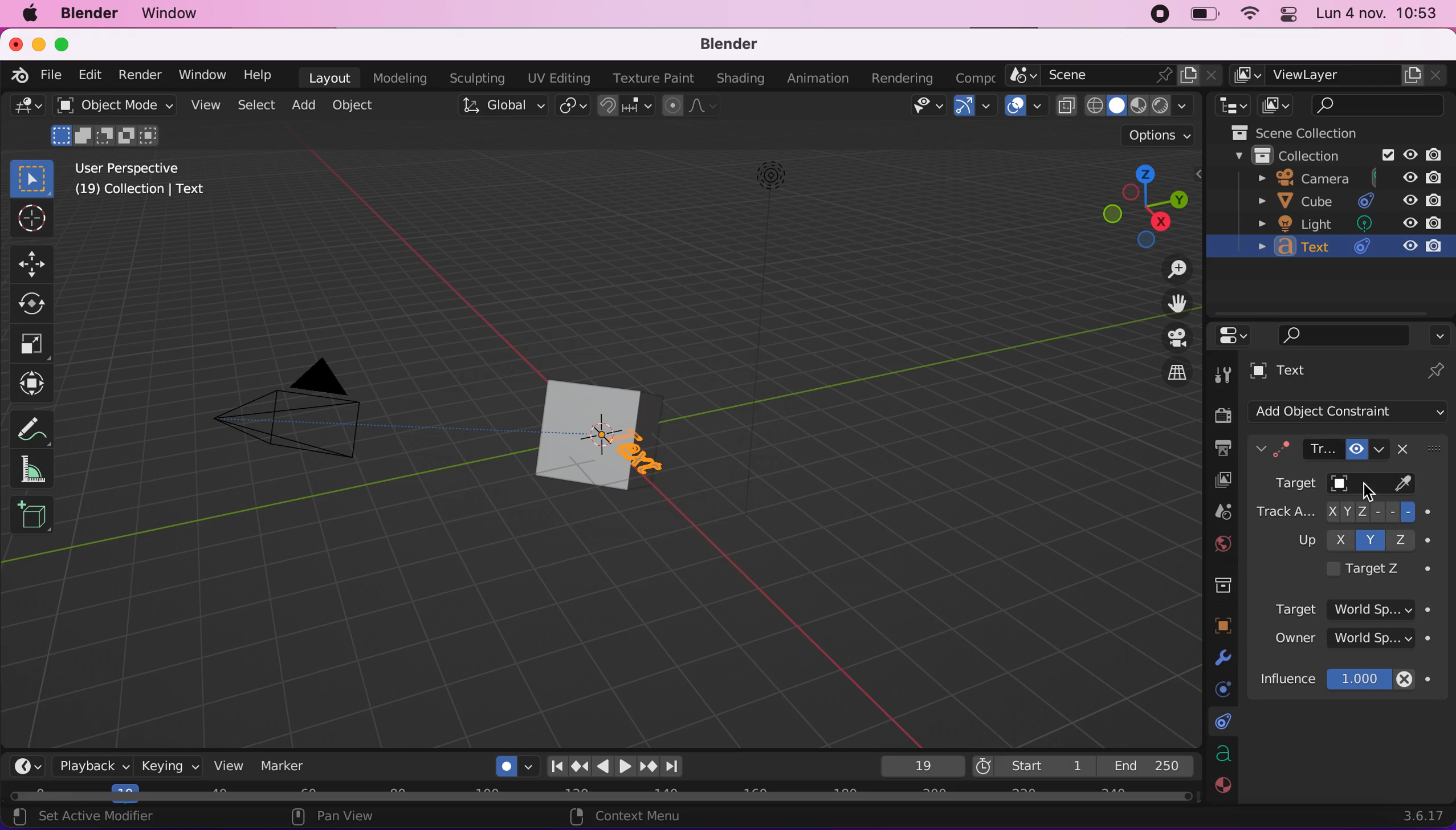 The image size is (1456, 830). Describe the element at coordinates (263, 76) in the screenshot. I see `help` at that location.